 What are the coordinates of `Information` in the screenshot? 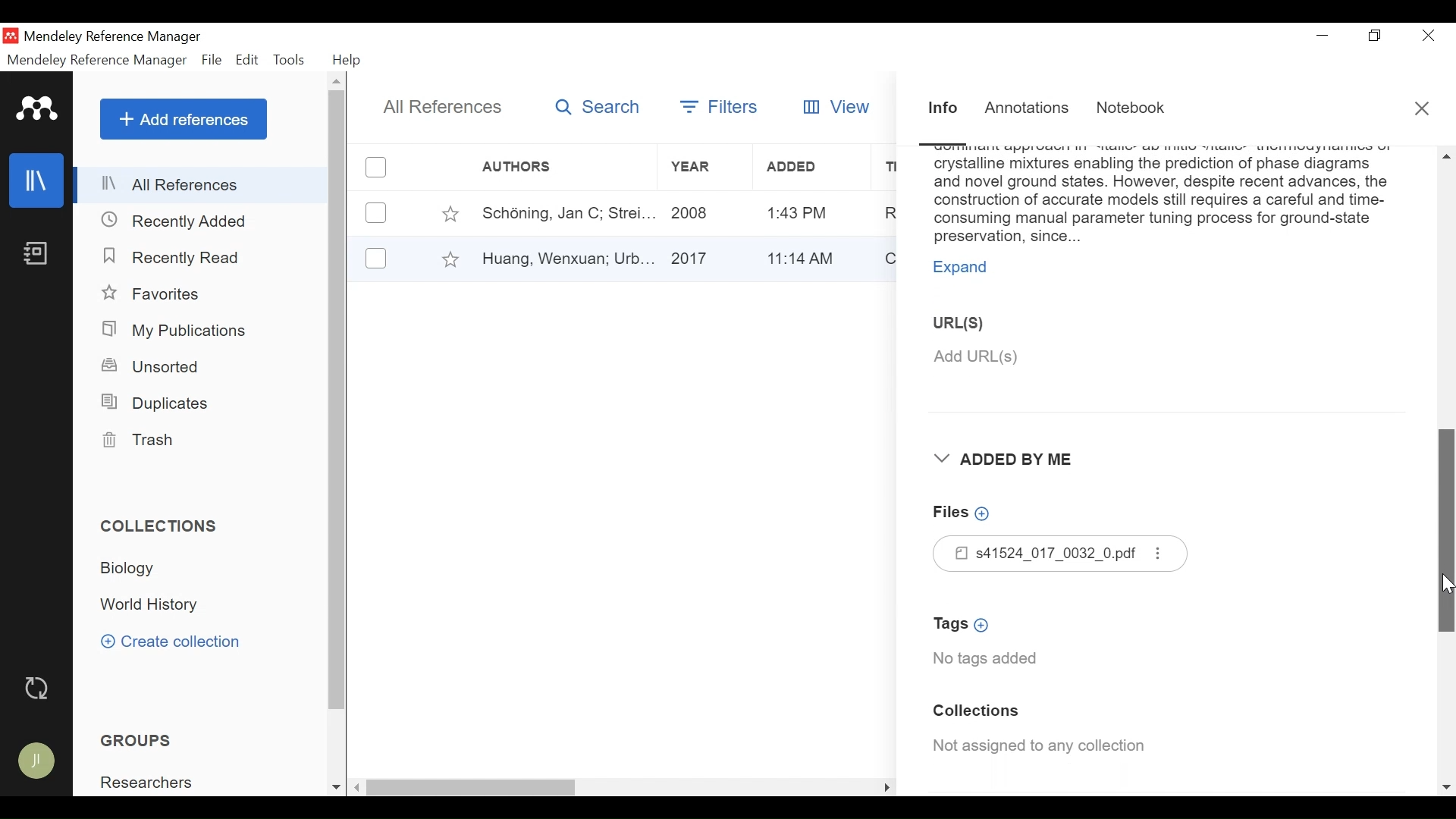 It's located at (944, 109).